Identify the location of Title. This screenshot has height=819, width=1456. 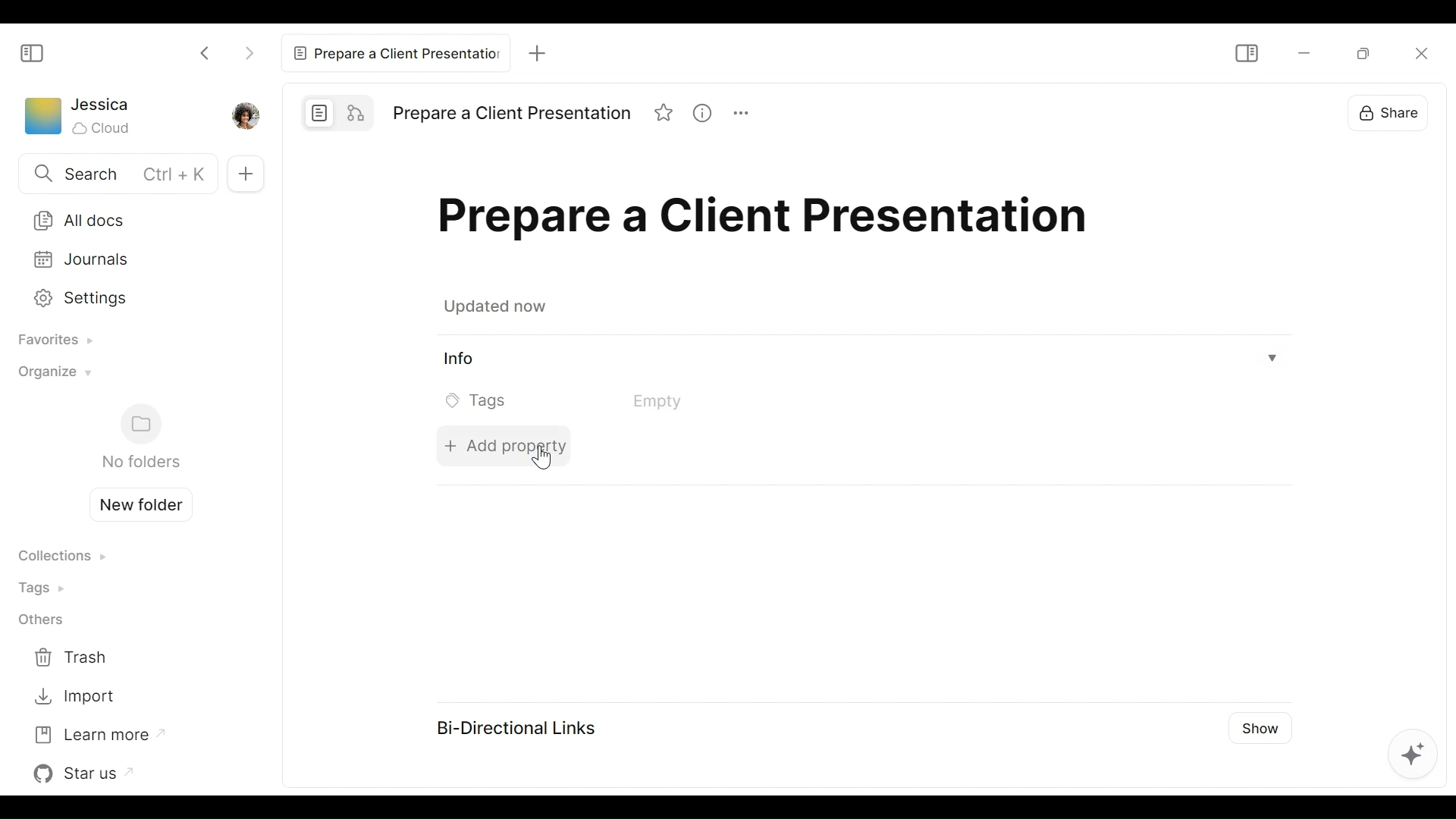
(511, 114).